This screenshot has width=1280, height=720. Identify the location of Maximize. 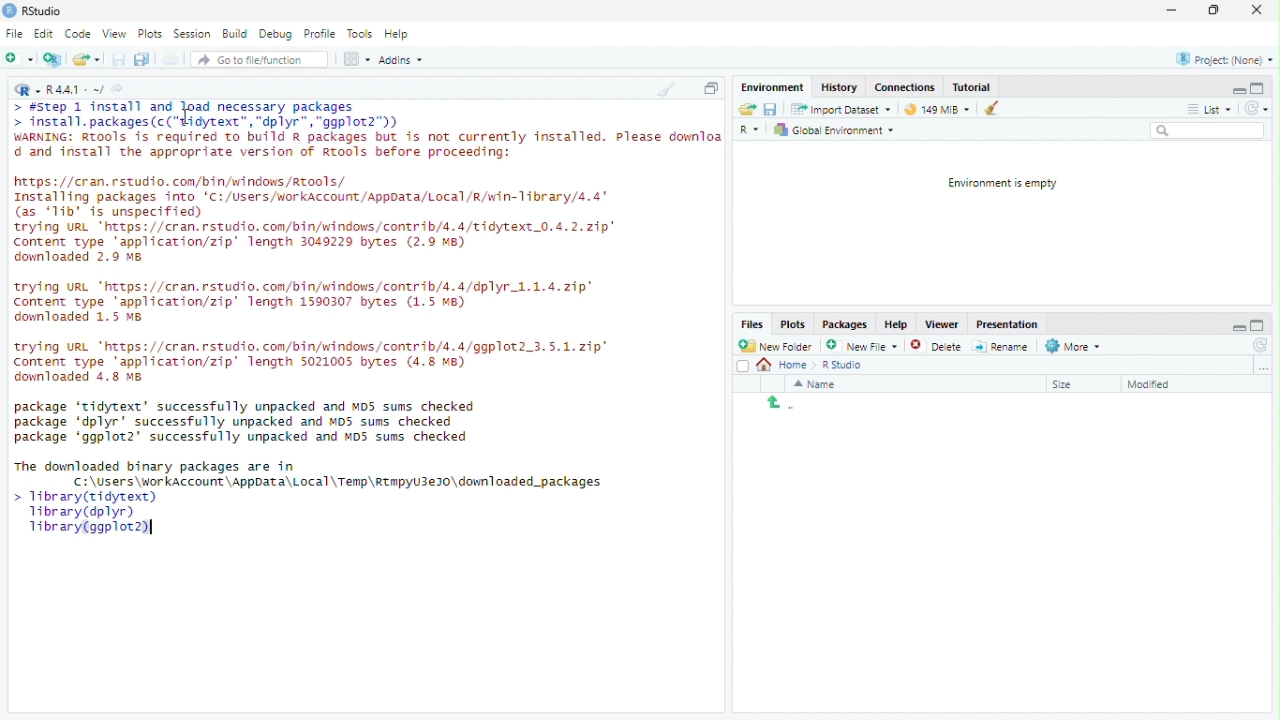
(1259, 325).